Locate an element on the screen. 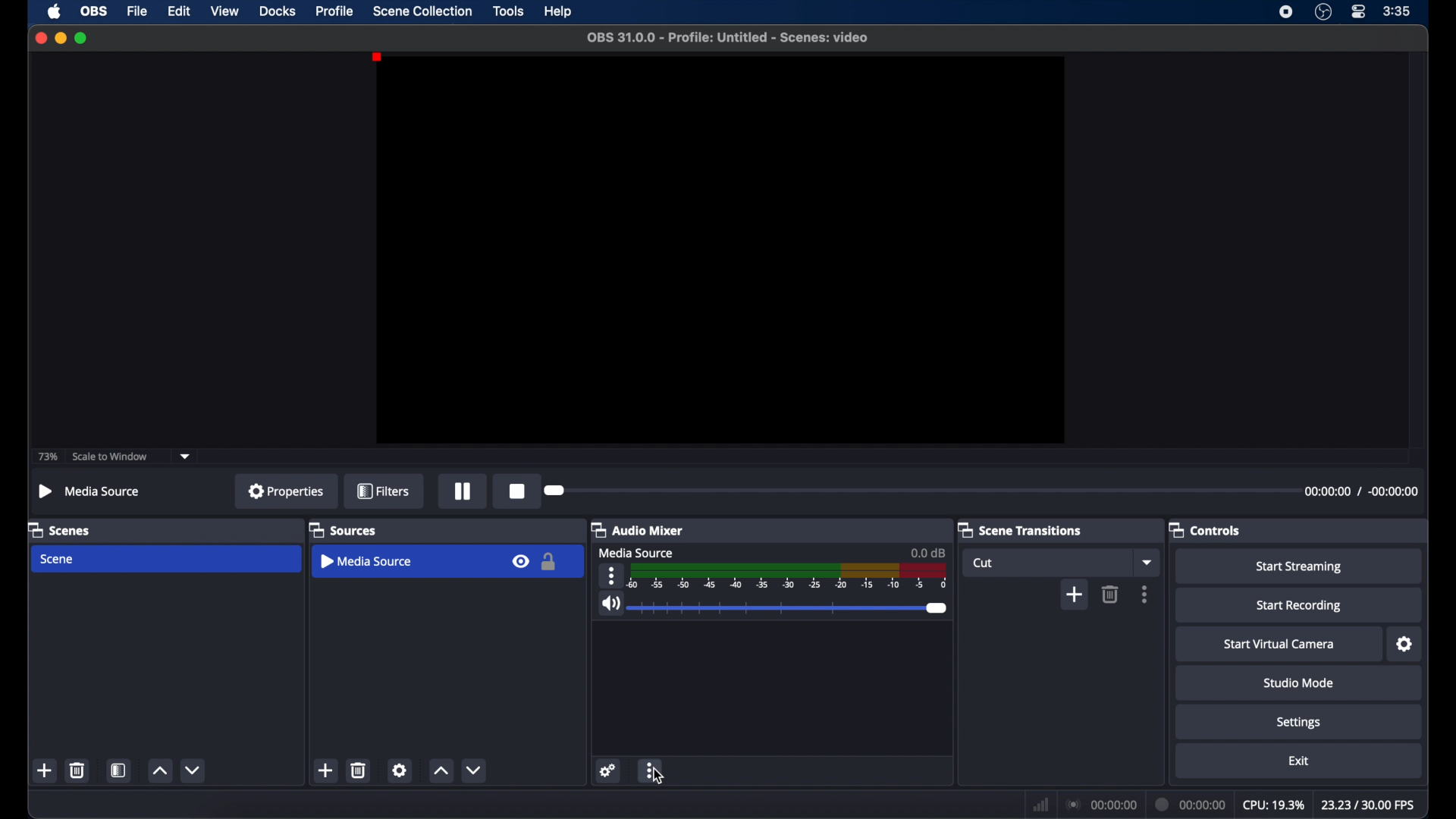 Image resolution: width=1456 pixels, height=819 pixels. settings is located at coordinates (1404, 644).